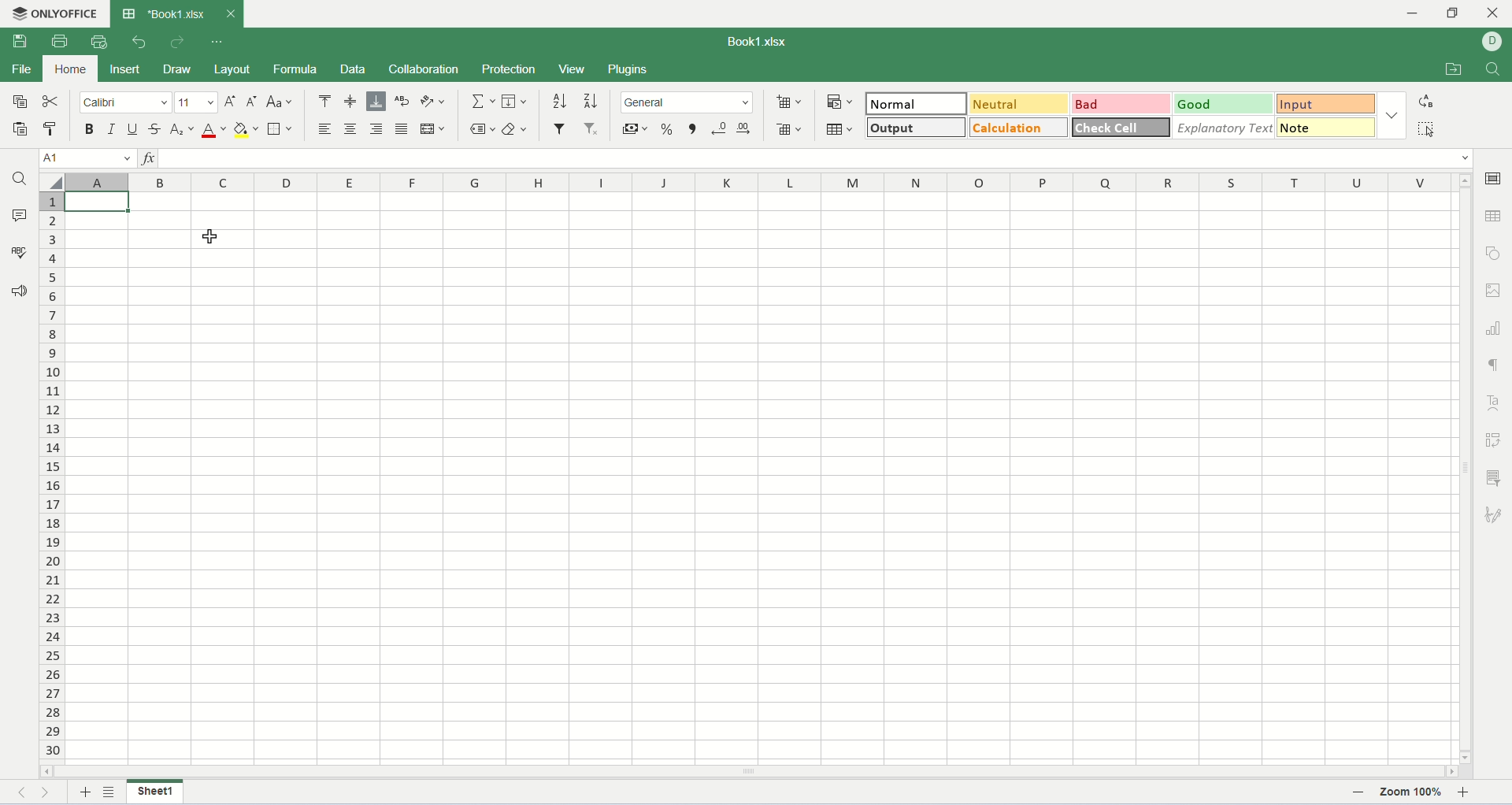 The height and width of the screenshot is (805, 1512). What do you see at coordinates (791, 101) in the screenshot?
I see `insert cell` at bounding box center [791, 101].